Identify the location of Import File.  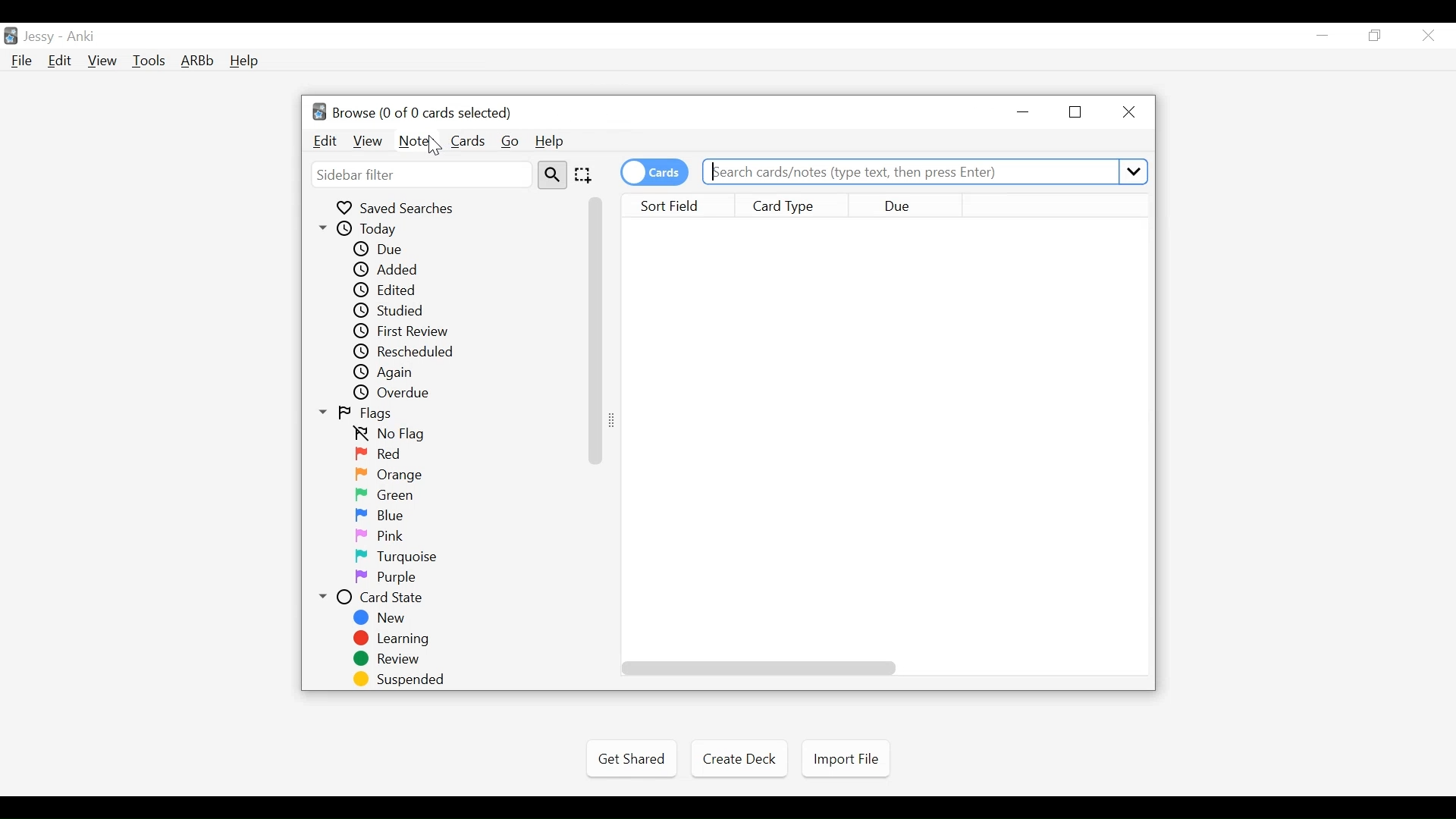
(846, 759).